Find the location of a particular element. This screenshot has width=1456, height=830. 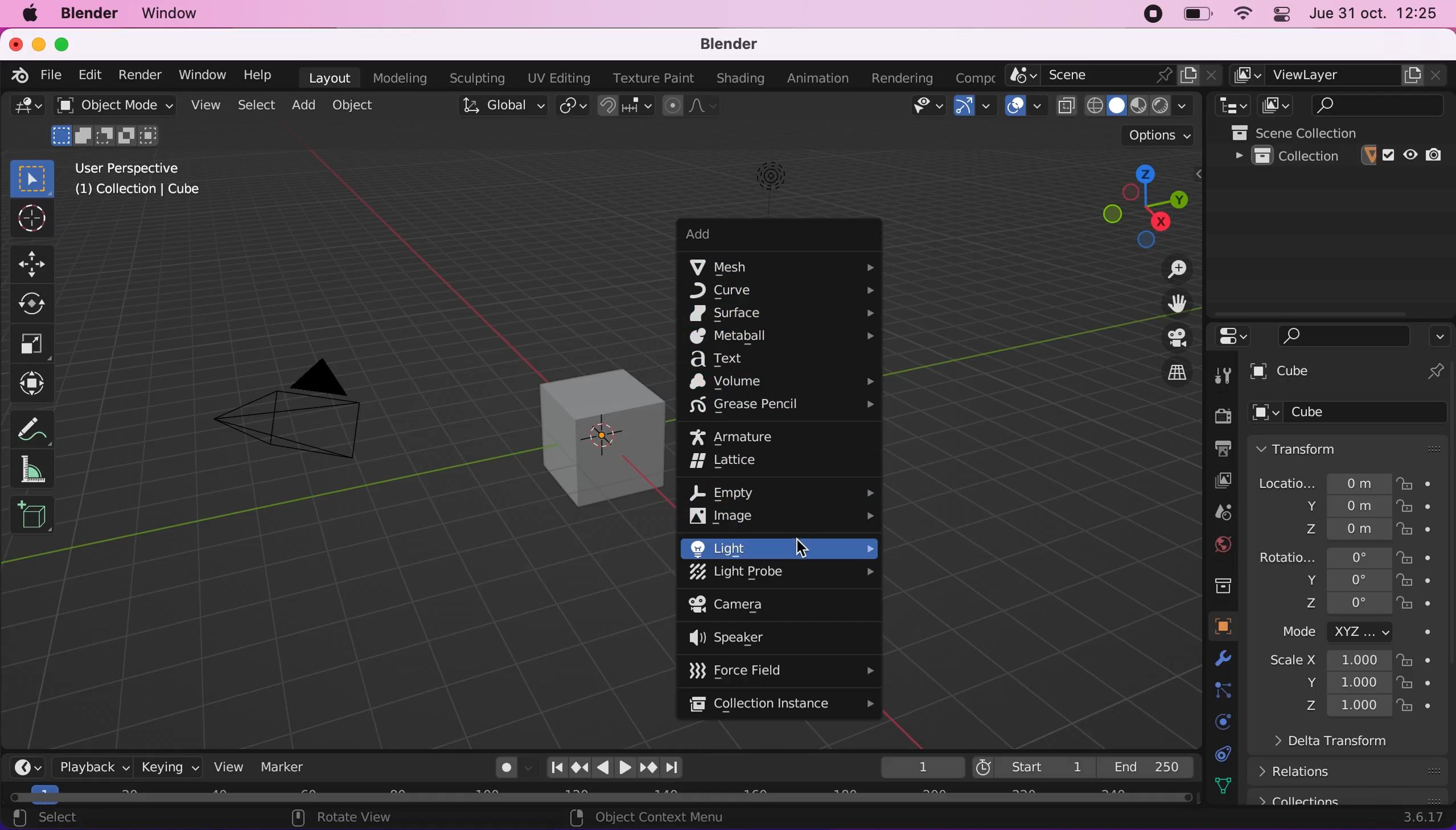

proportional editing objects is located at coordinates (690, 105).